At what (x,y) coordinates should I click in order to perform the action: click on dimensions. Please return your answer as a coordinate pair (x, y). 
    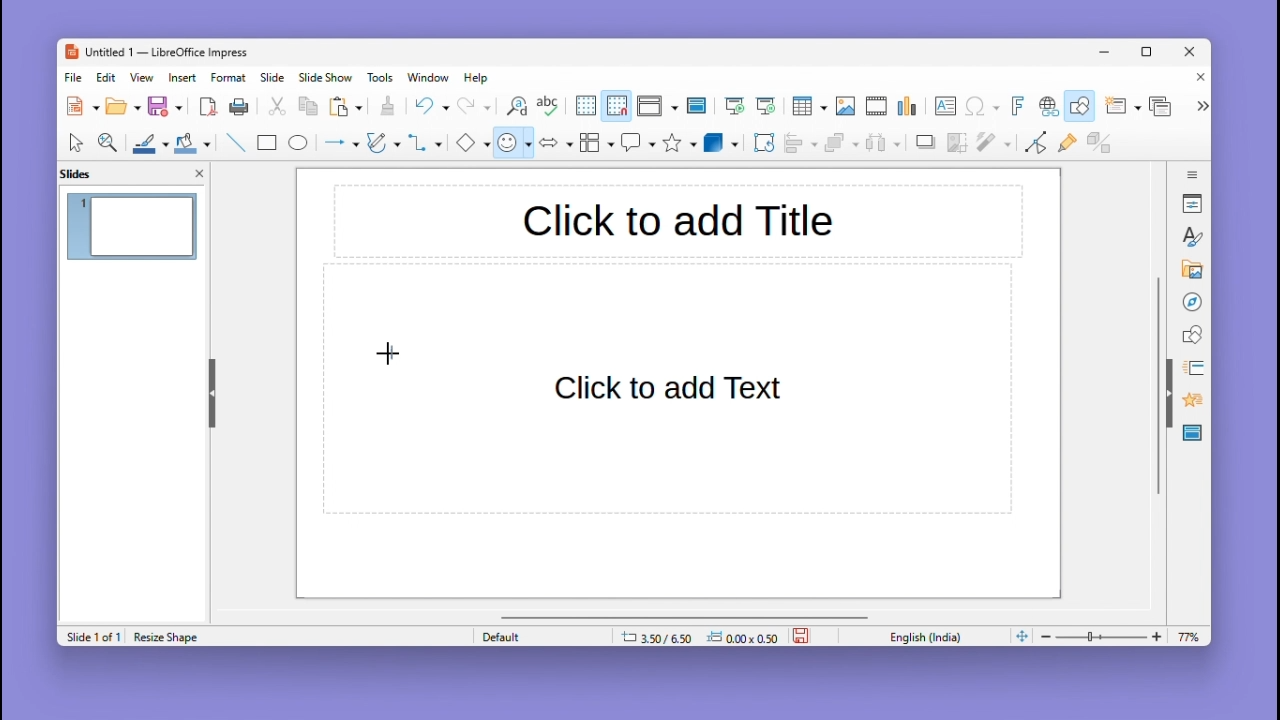
    Looking at the image, I should click on (699, 636).